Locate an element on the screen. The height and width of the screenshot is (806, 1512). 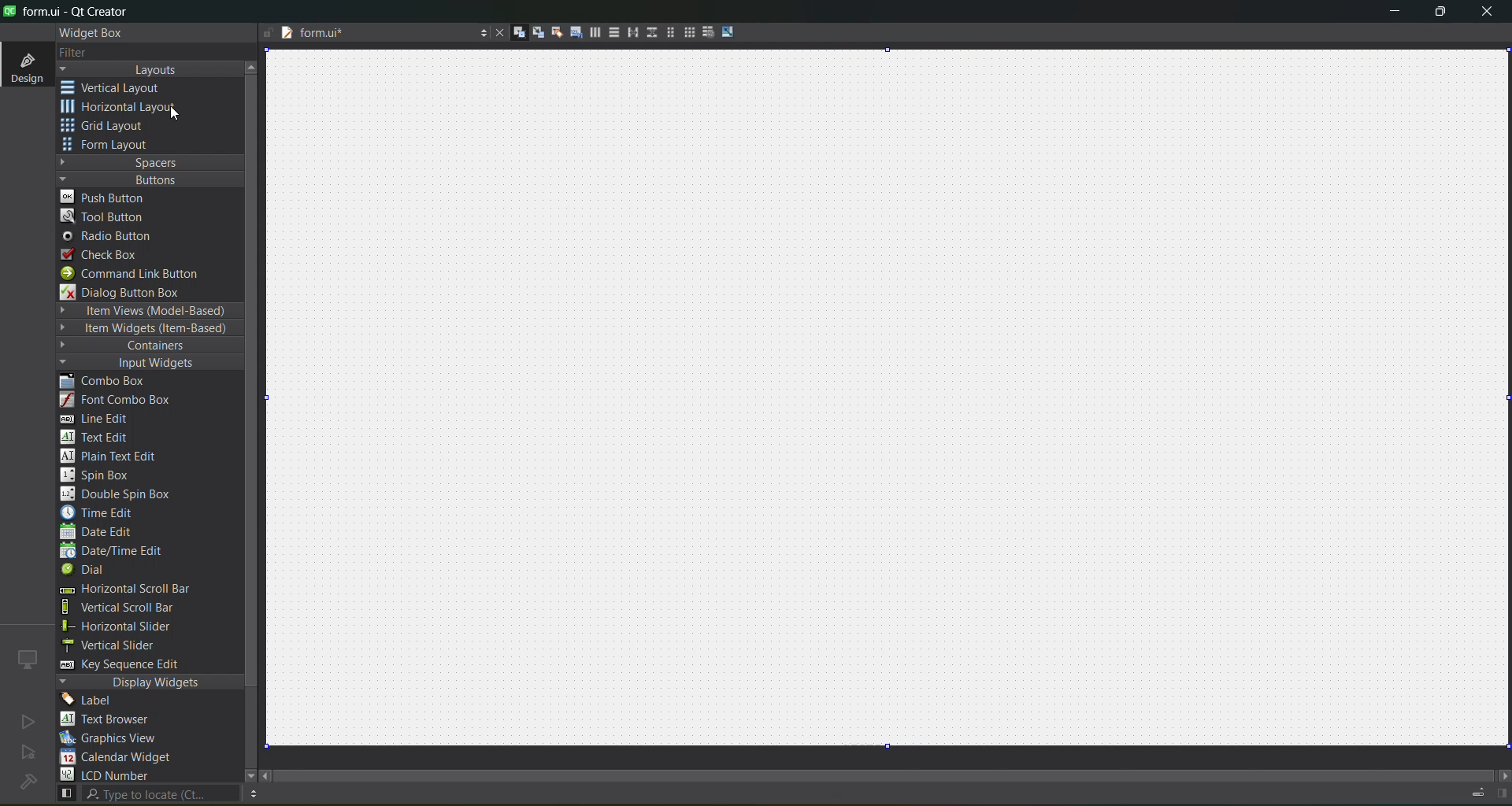
edit signals is located at coordinates (532, 31).